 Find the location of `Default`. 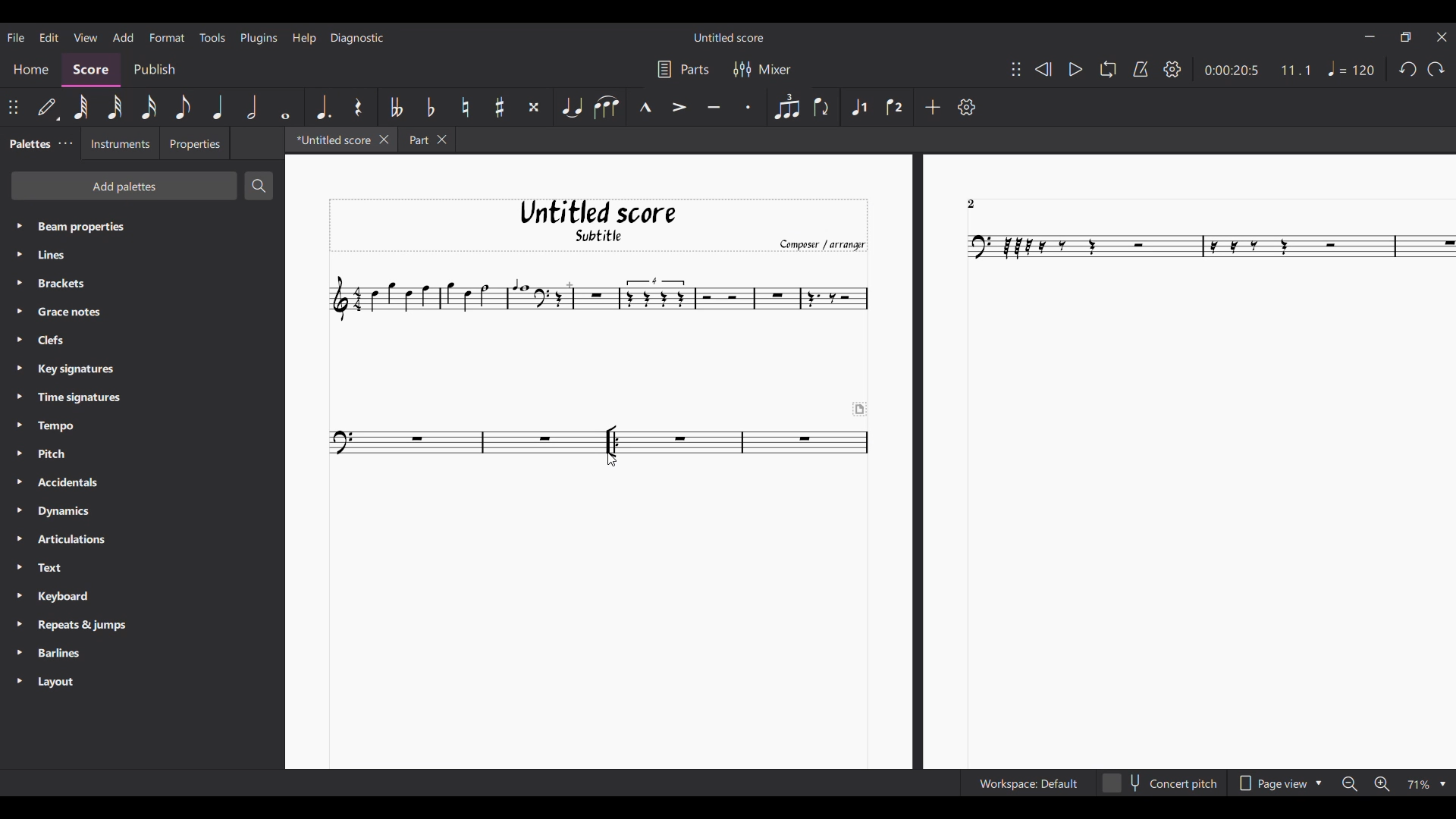

Default is located at coordinates (49, 108).